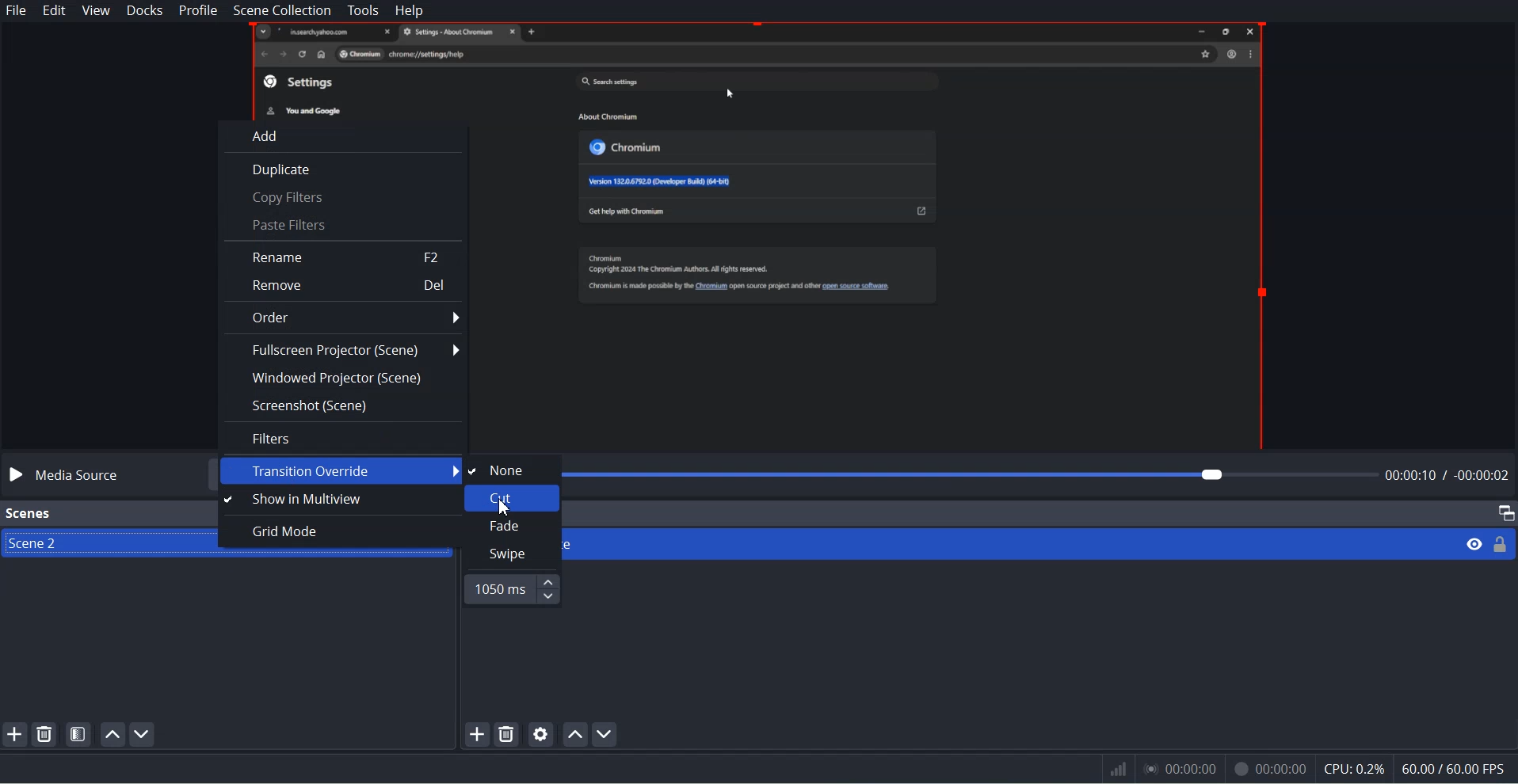 This screenshot has height=784, width=1518. What do you see at coordinates (1475, 543) in the screenshot?
I see `eye` at bounding box center [1475, 543].